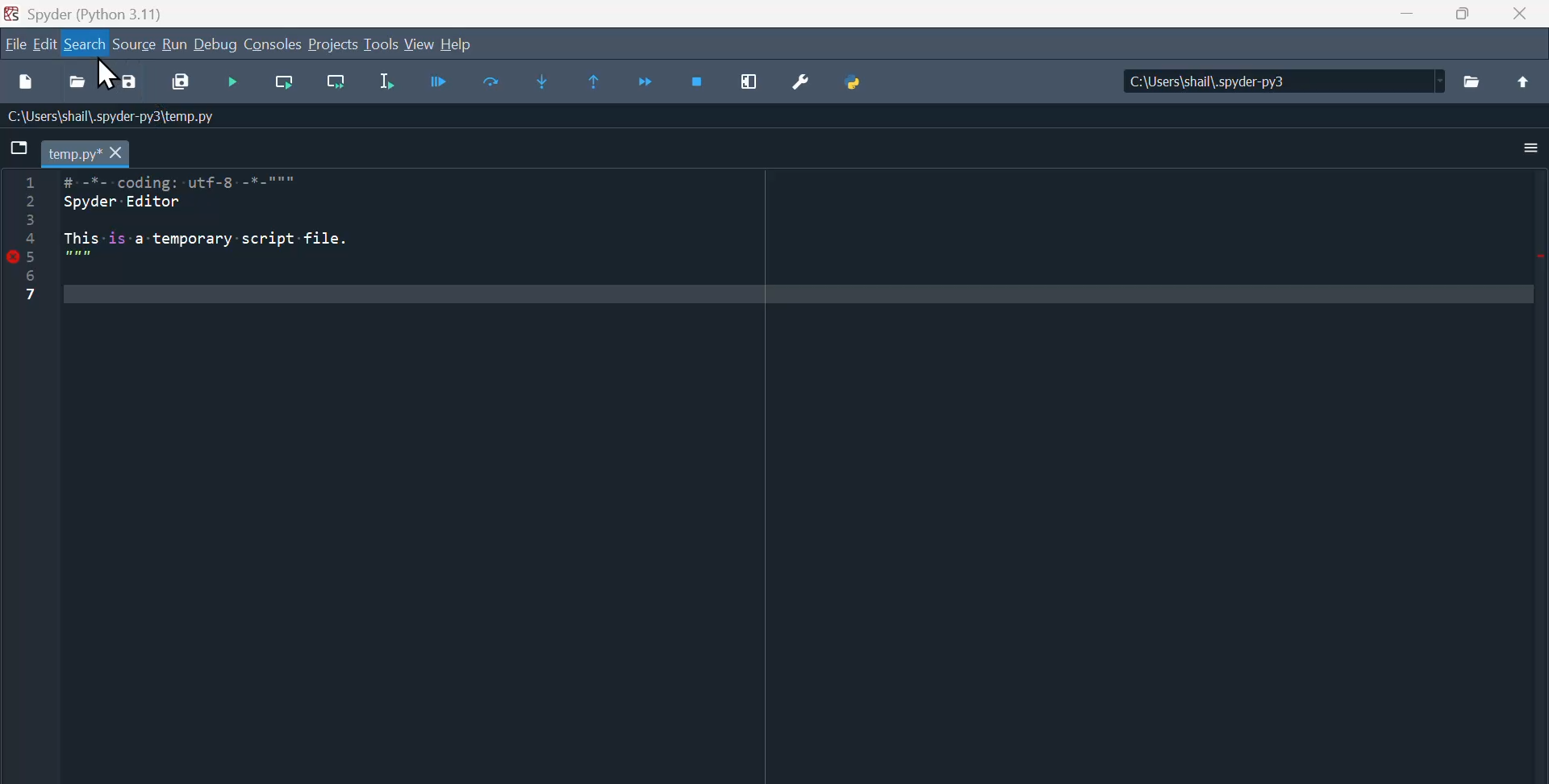  I want to click on Step into function, so click(543, 83).